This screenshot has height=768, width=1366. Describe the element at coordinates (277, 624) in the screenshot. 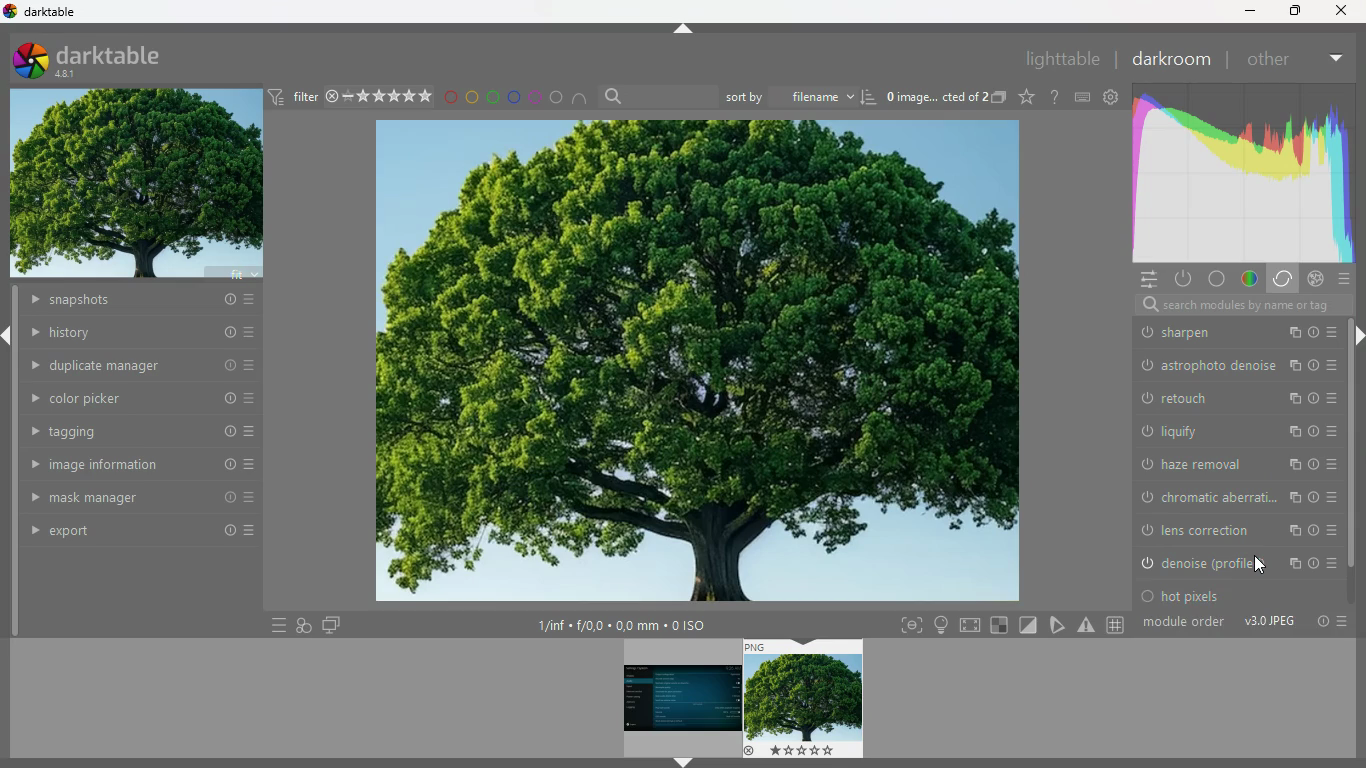

I see `more` at that location.